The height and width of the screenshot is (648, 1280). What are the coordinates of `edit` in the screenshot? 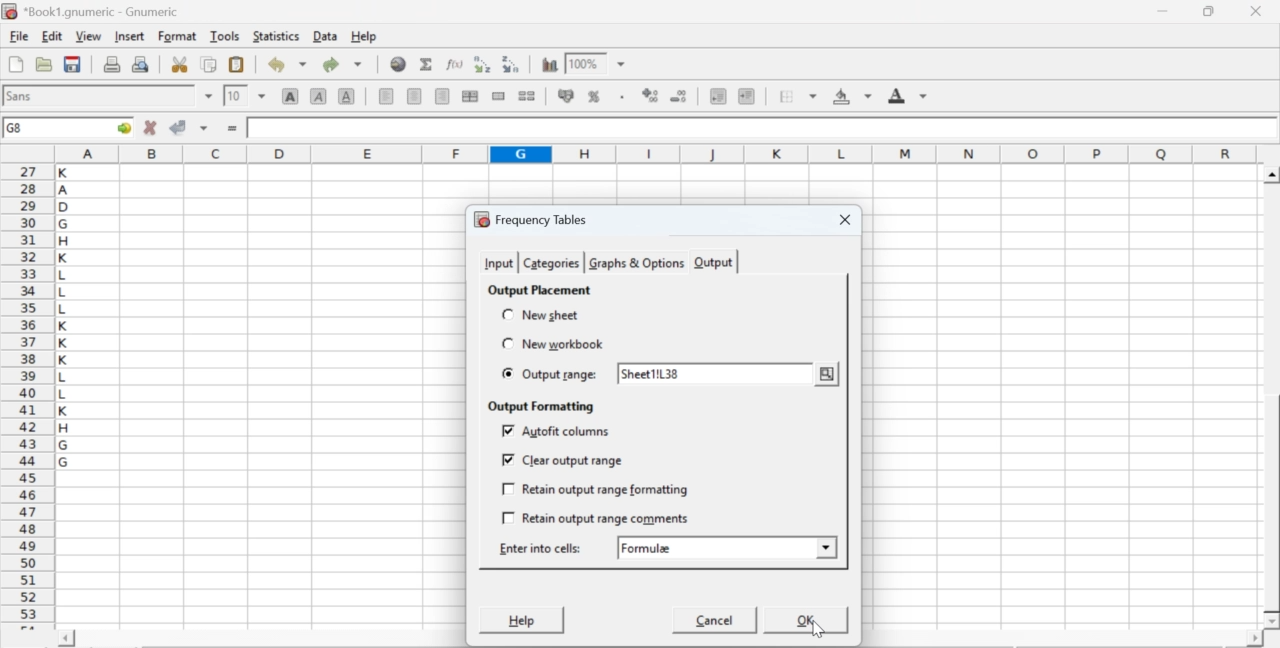 It's located at (52, 36).